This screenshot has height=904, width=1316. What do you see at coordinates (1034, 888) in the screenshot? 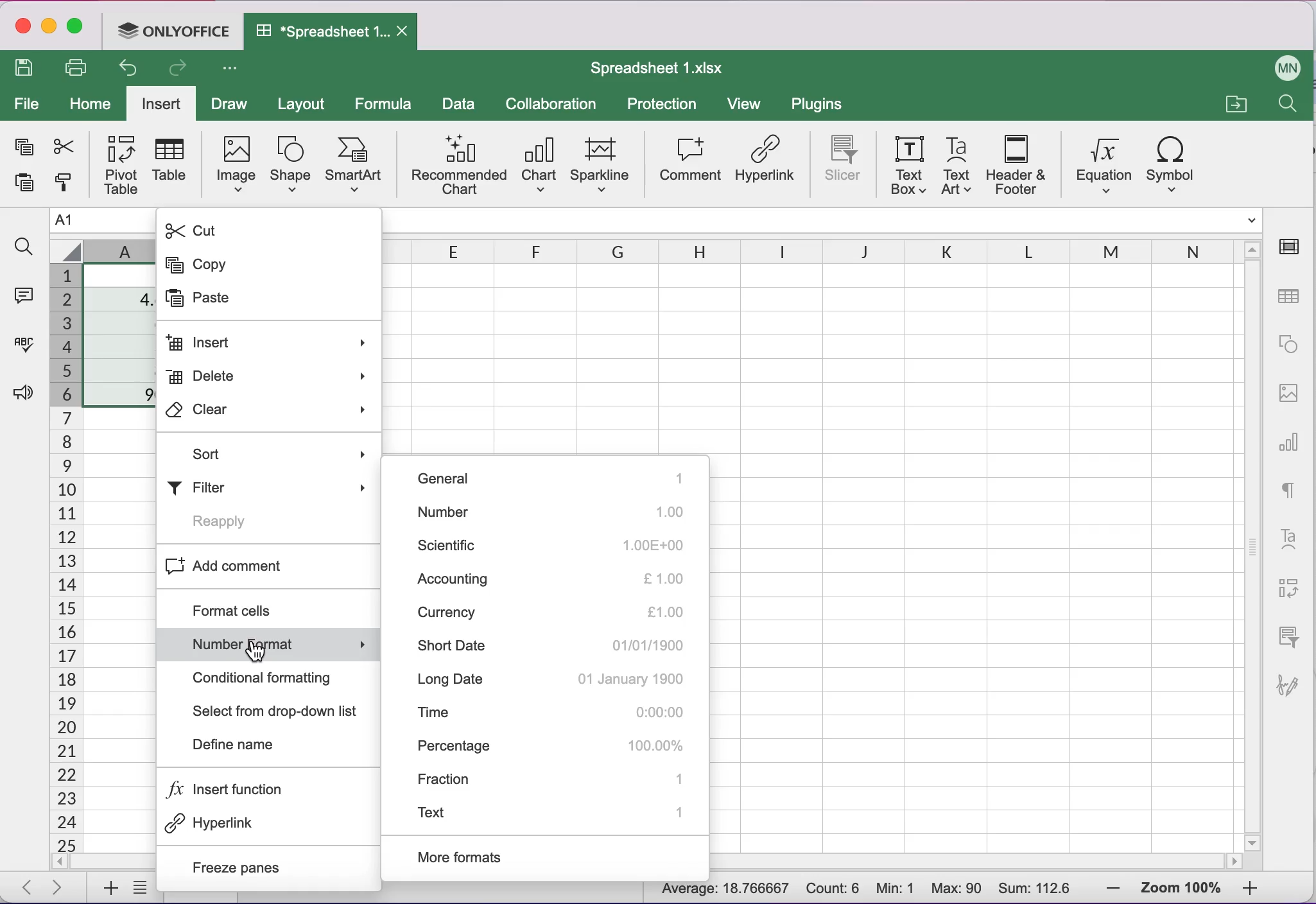
I see `Sum: 112.6` at bounding box center [1034, 888].